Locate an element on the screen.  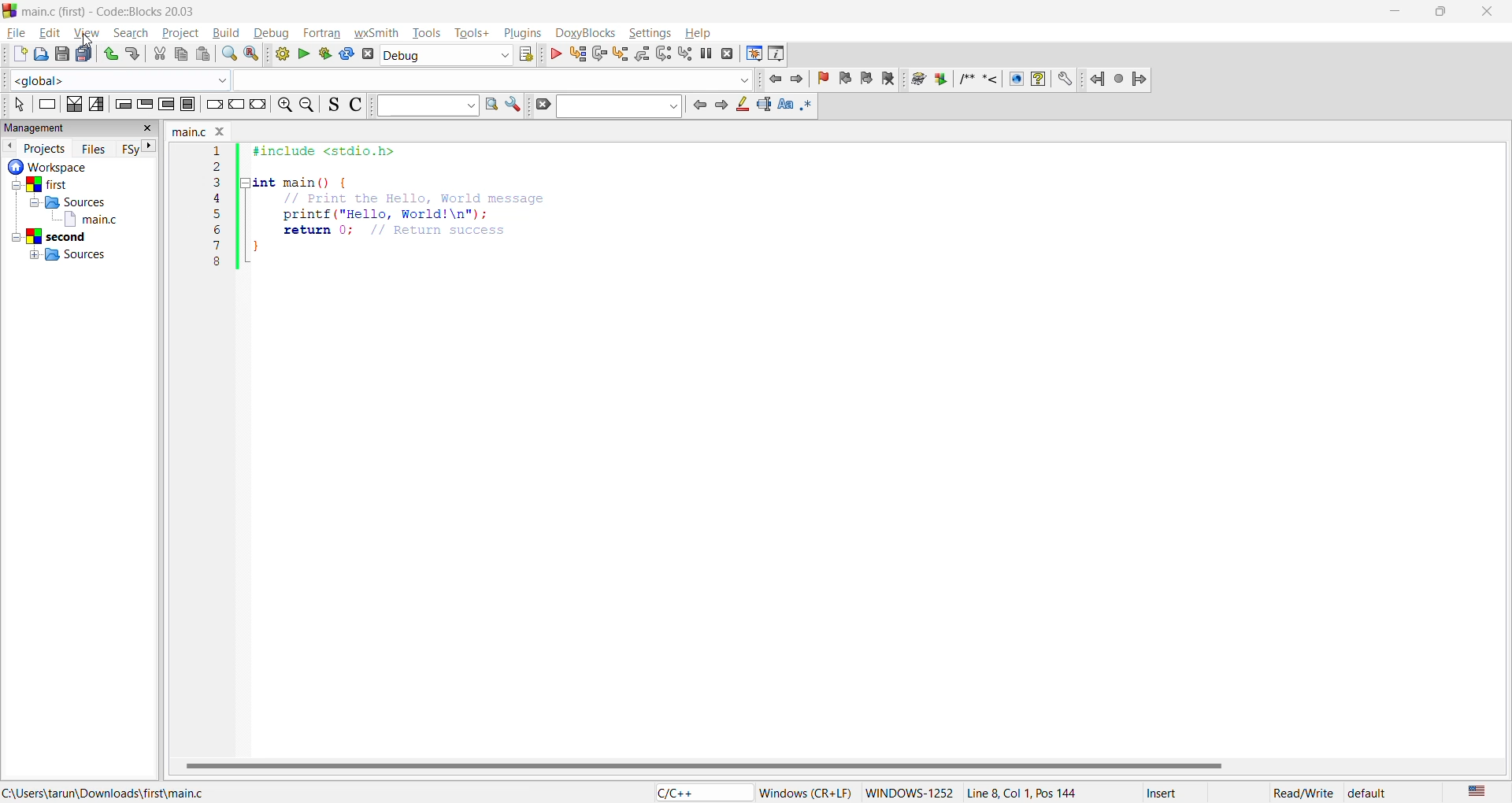
file name is located at coordinates (198, 132).